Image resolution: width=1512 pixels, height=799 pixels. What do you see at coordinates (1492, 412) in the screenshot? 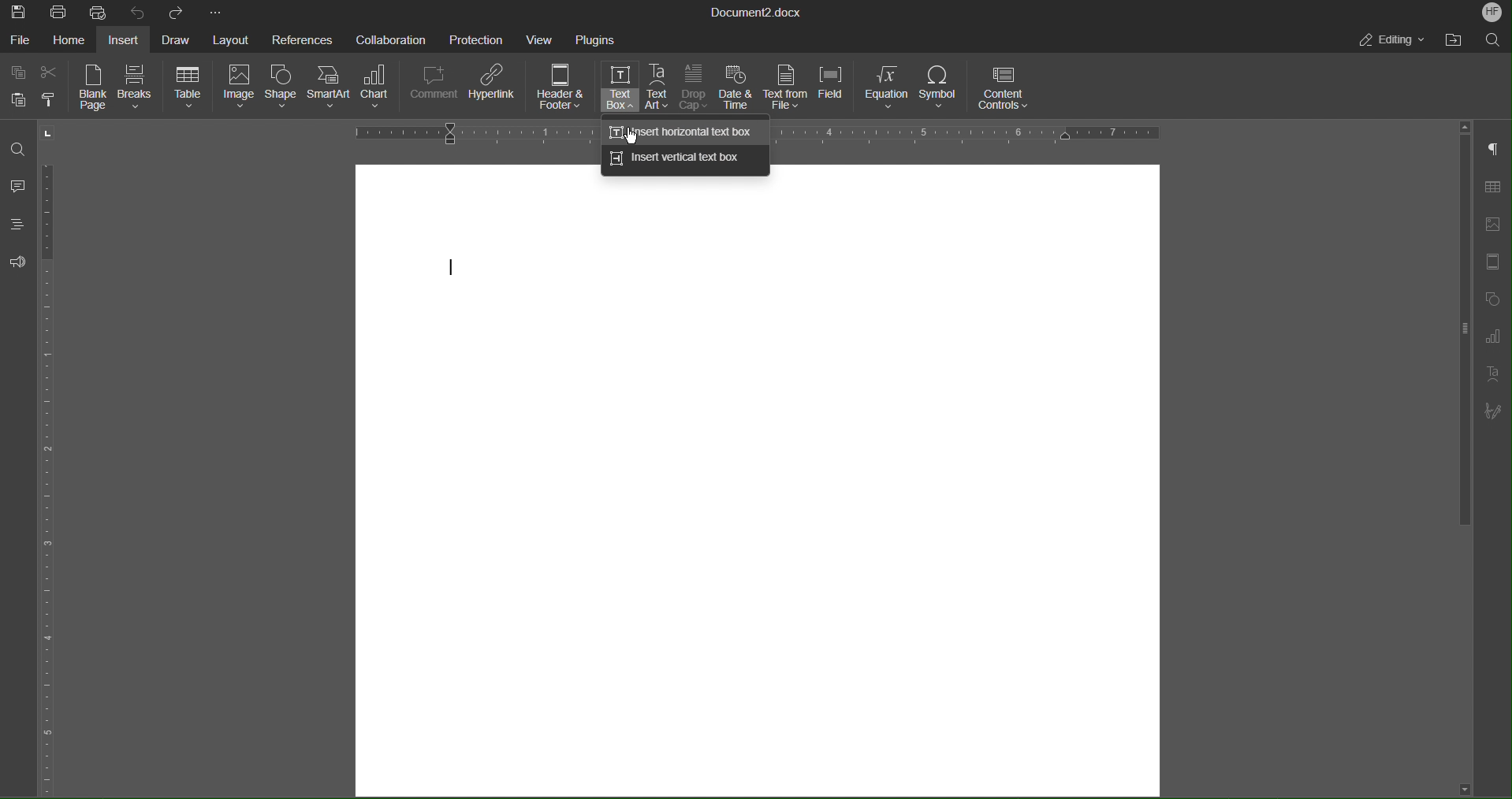
I see `Signature` at bounding box center [1492, 412].